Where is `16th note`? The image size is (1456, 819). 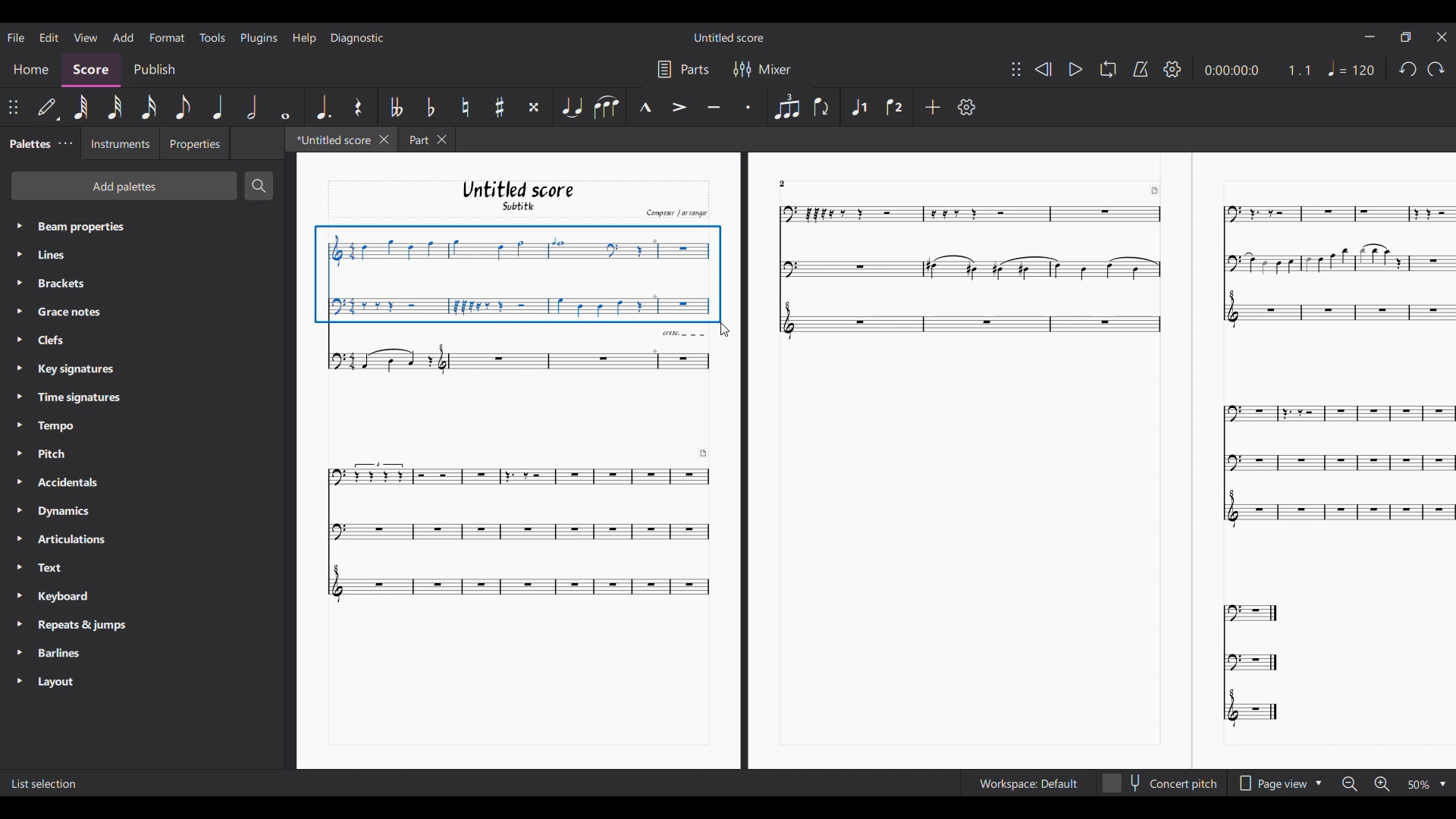
16th note is located at coordinates (149, 108).